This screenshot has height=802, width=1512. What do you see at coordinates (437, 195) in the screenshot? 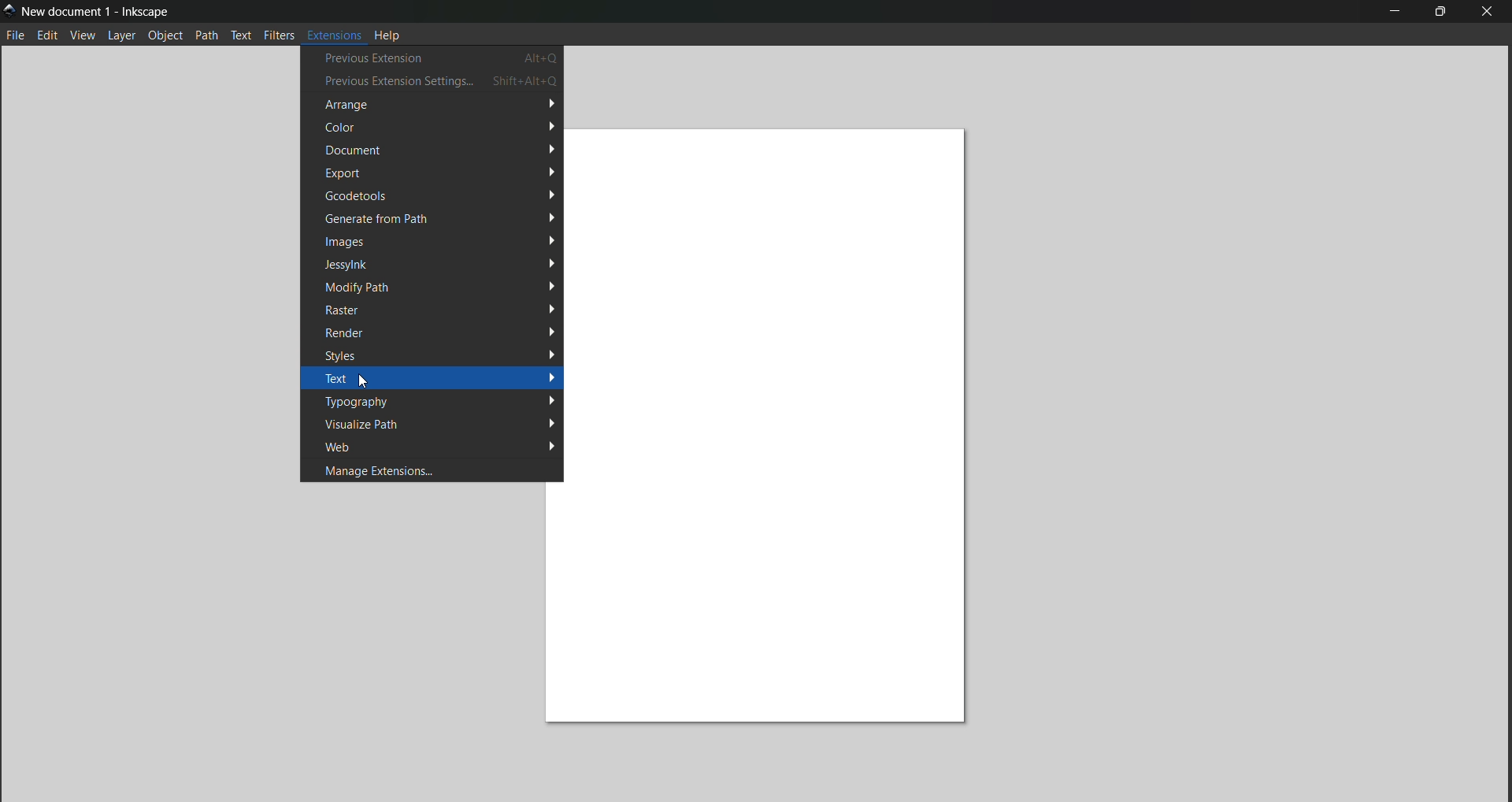
I see `Gcode tools` at bounding box center [437, 195].